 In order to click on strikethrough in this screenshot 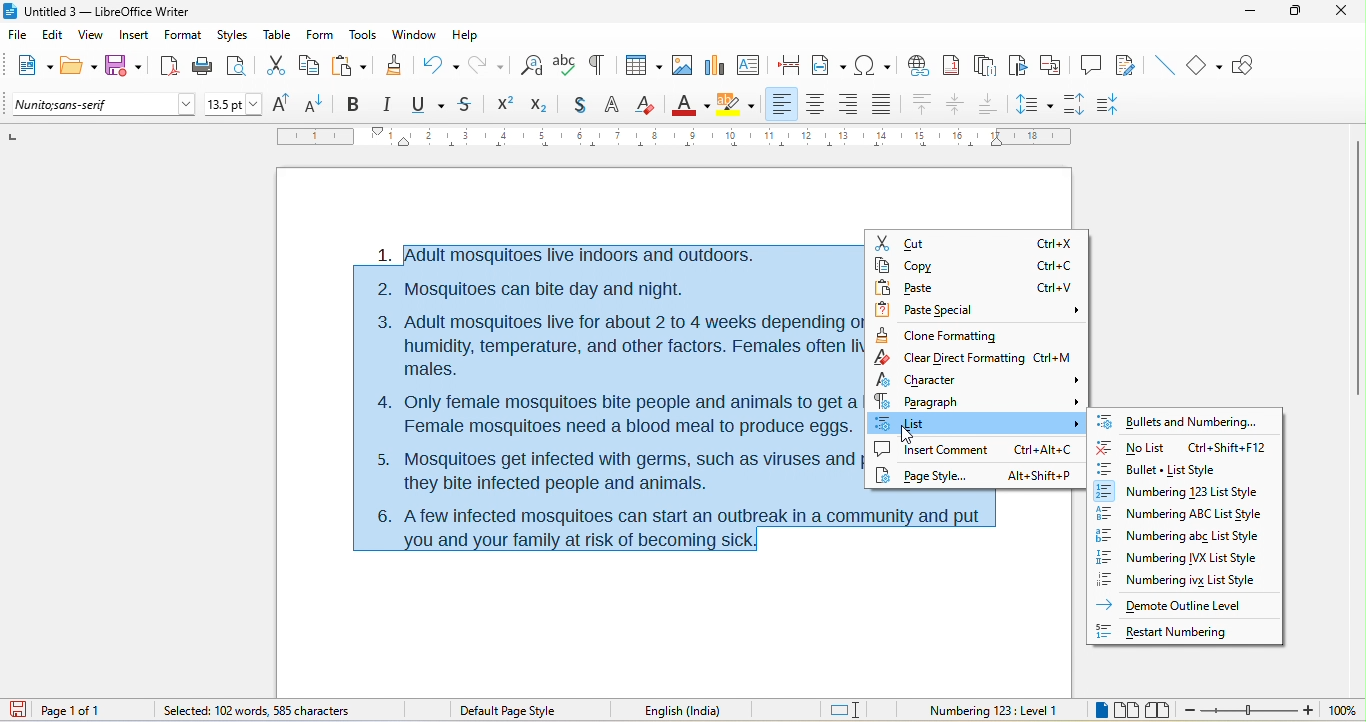, I will do `click(466, 106)`.